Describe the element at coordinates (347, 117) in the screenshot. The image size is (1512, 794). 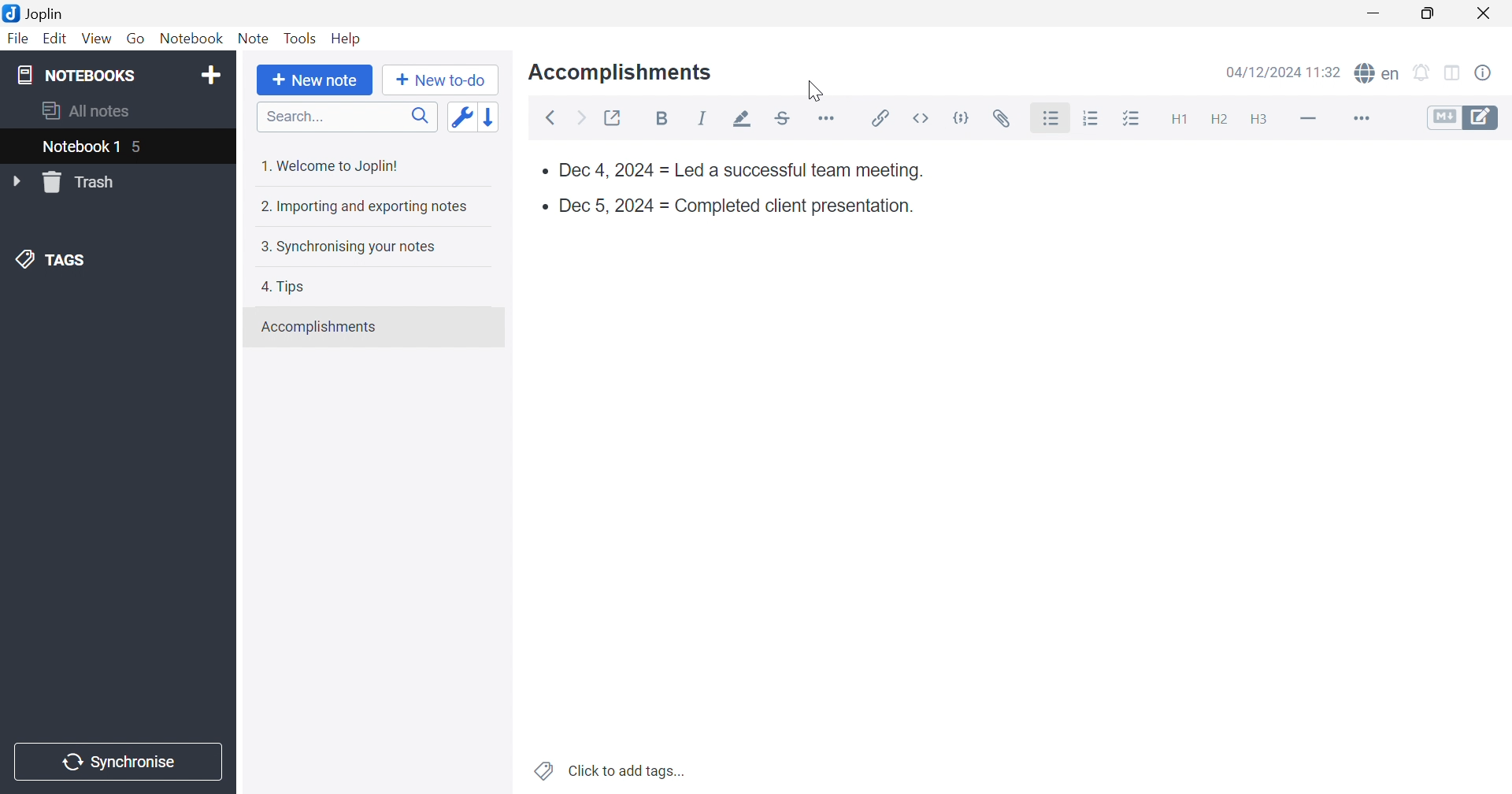
I see `Search` at that location.